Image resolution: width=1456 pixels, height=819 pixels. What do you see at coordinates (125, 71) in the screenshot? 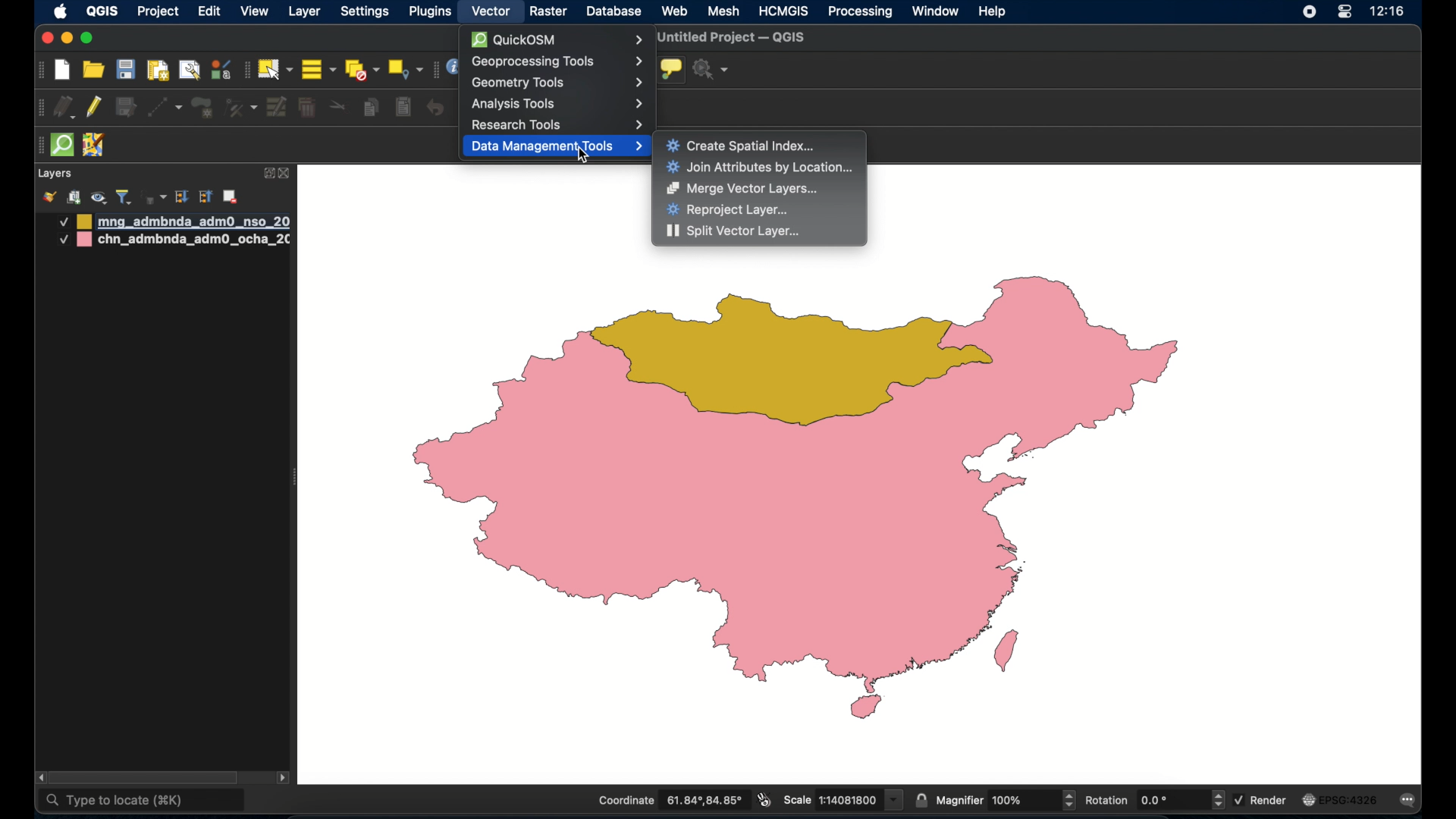
I see `save project` at bounding box center [125, 71].